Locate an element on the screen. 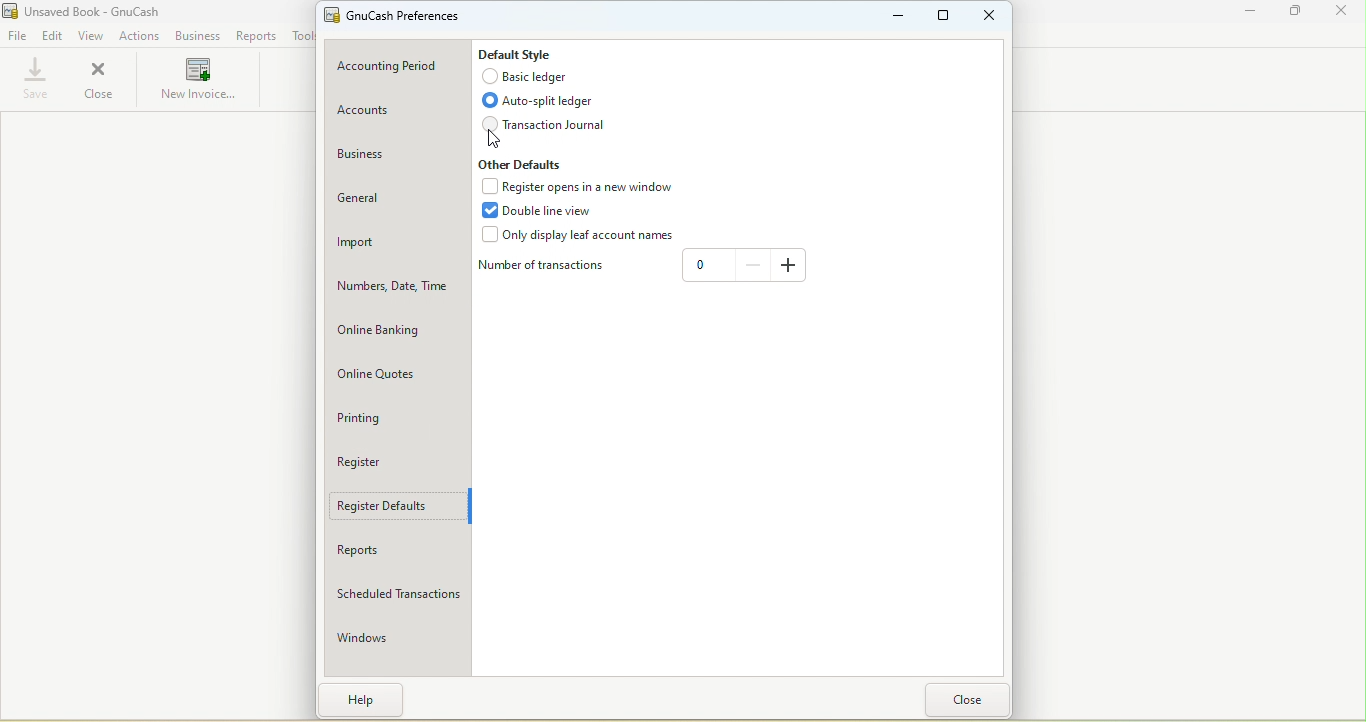  Maximize is located at coordinates (937, 19).